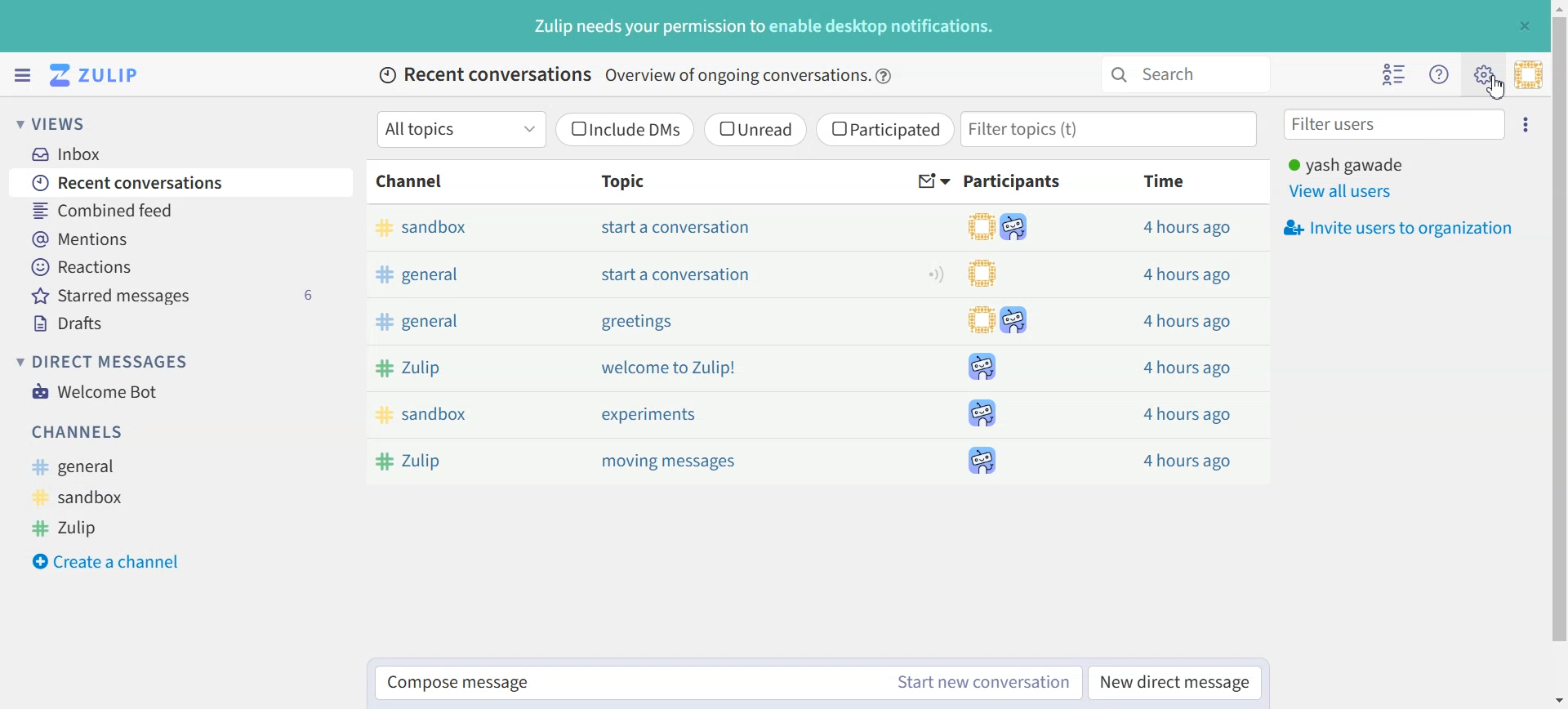 The width and height of the screenshot is (1568, 709). Describe the element at coordinates (182, 237) in the screenshot. I see `Mentions` at that location.